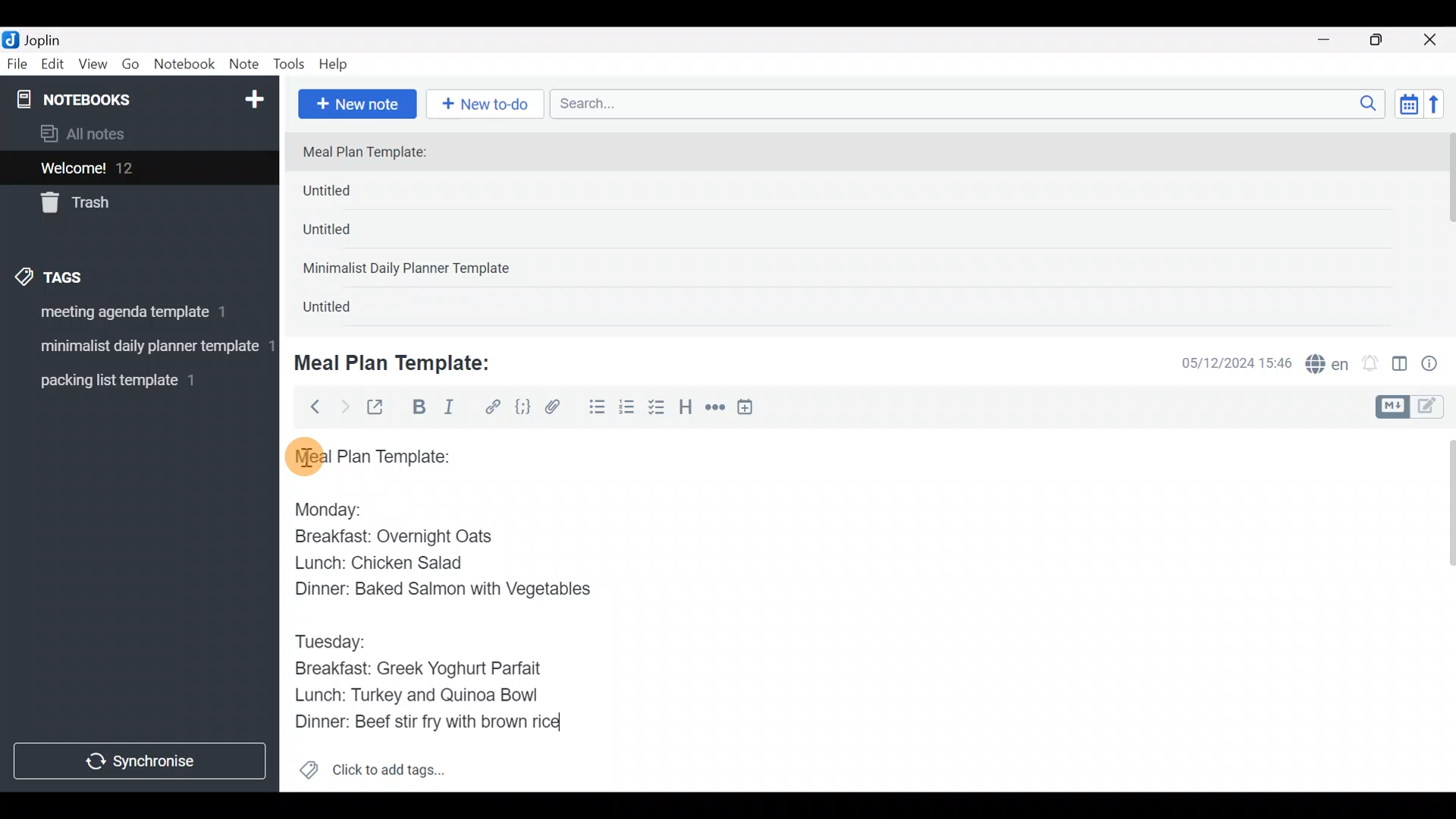 The image size is (1456, 819). Describe the element at coordinates (1440, 610) in the screenshot. I see `Scroll bar` at that location.